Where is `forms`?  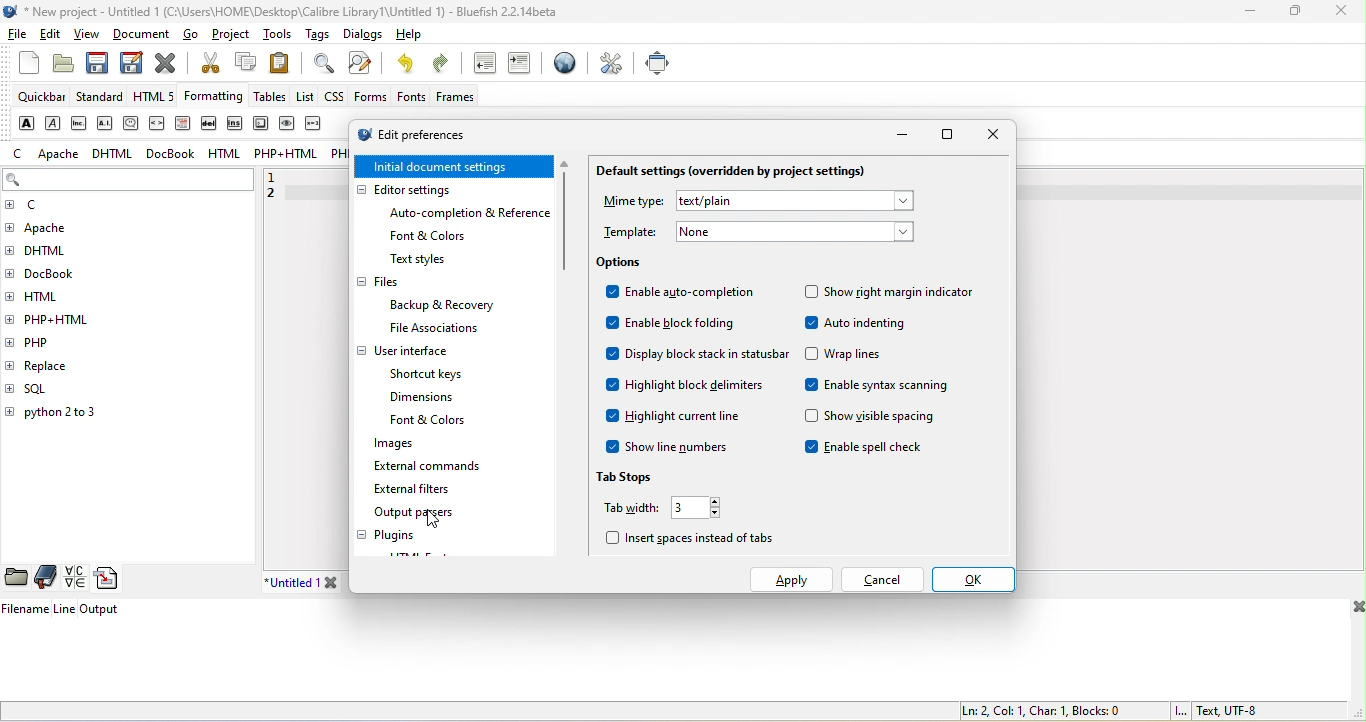
forms is located at coordinates (370, 96).